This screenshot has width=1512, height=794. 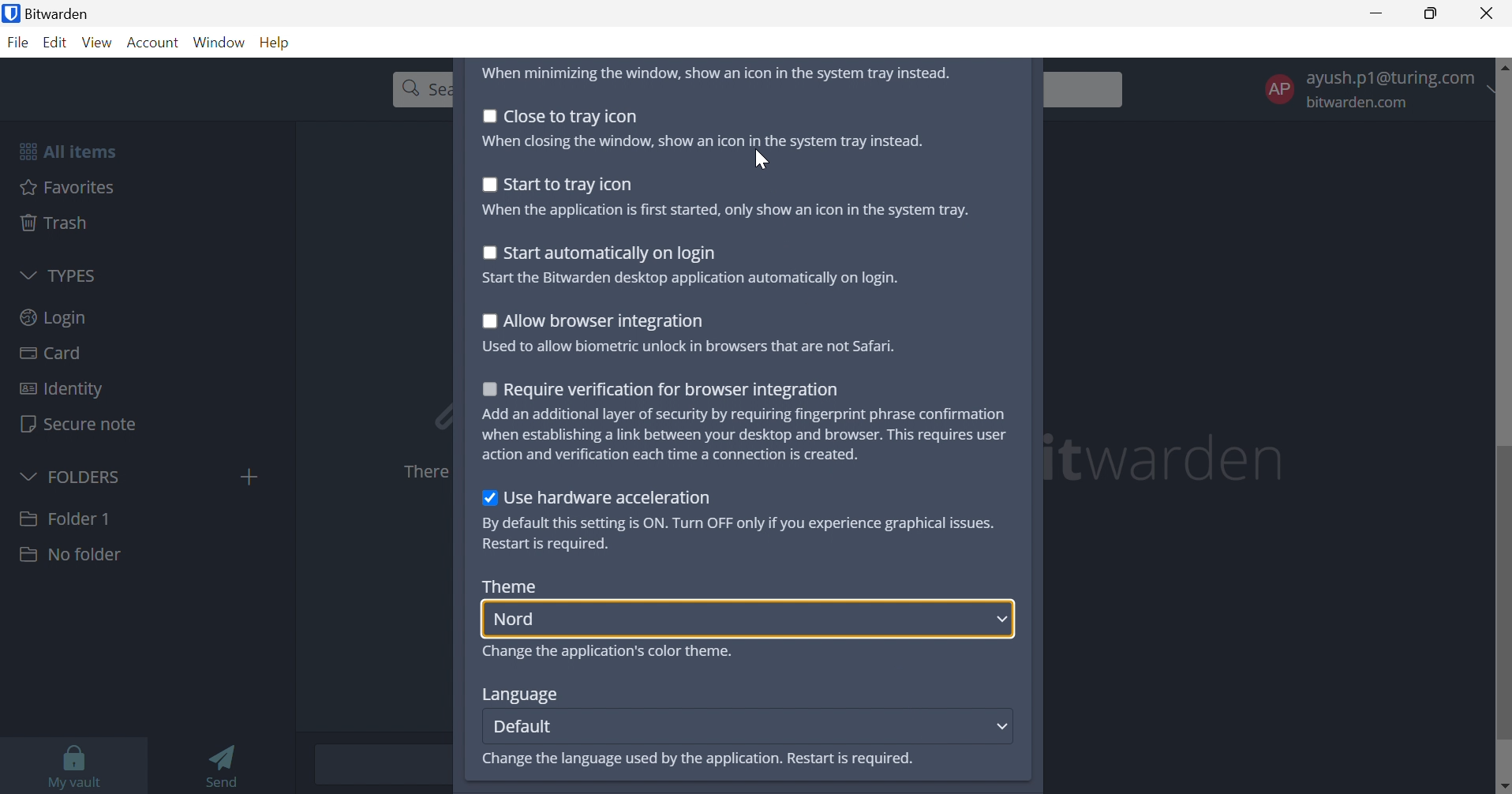 What do you see at coordinates (53, 354) in the screenshot?
I see `Card` at bounding box center [53, 354].